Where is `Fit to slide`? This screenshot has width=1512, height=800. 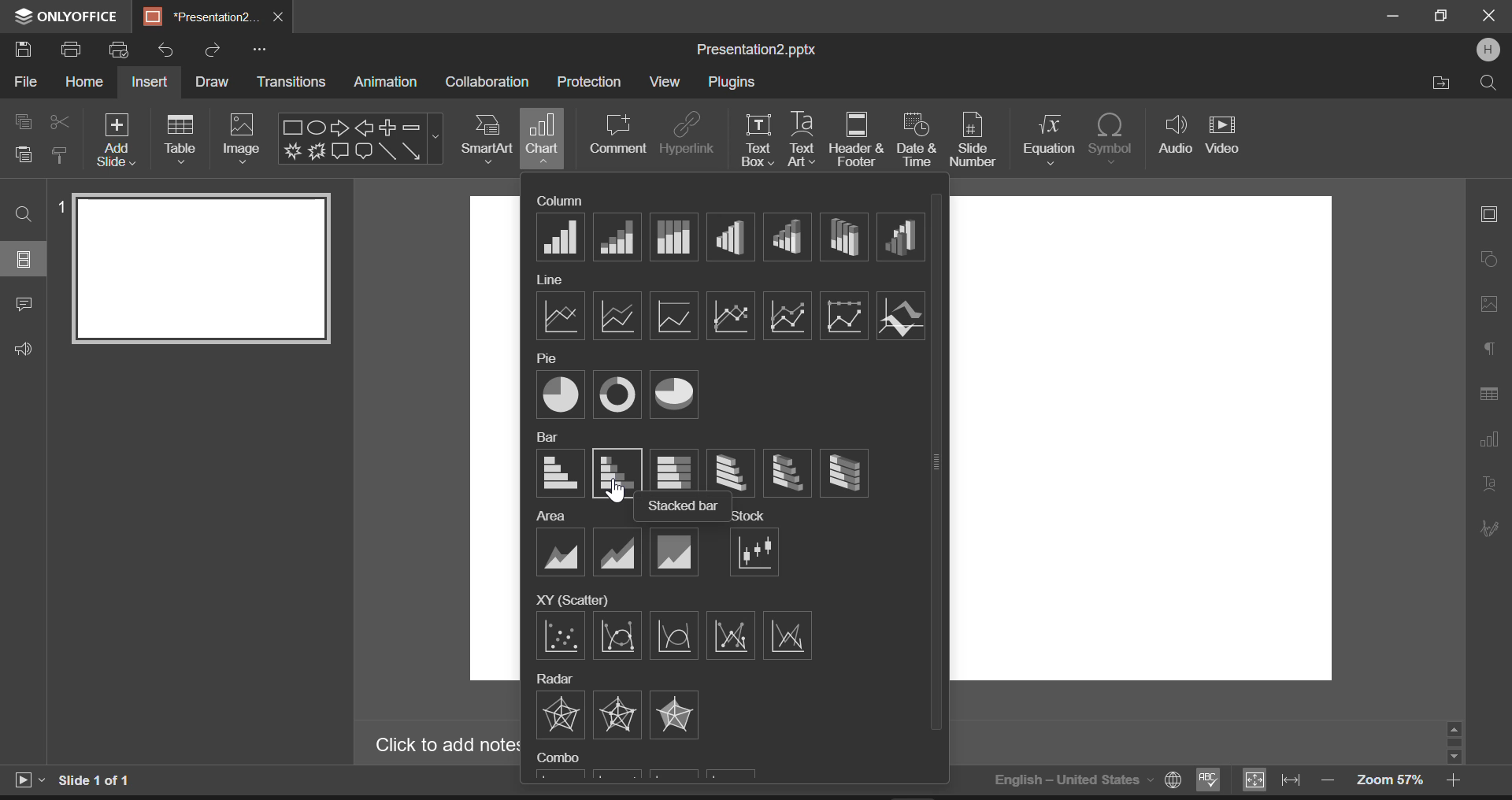 Fit to slide is located at coordinates (1253, 780).